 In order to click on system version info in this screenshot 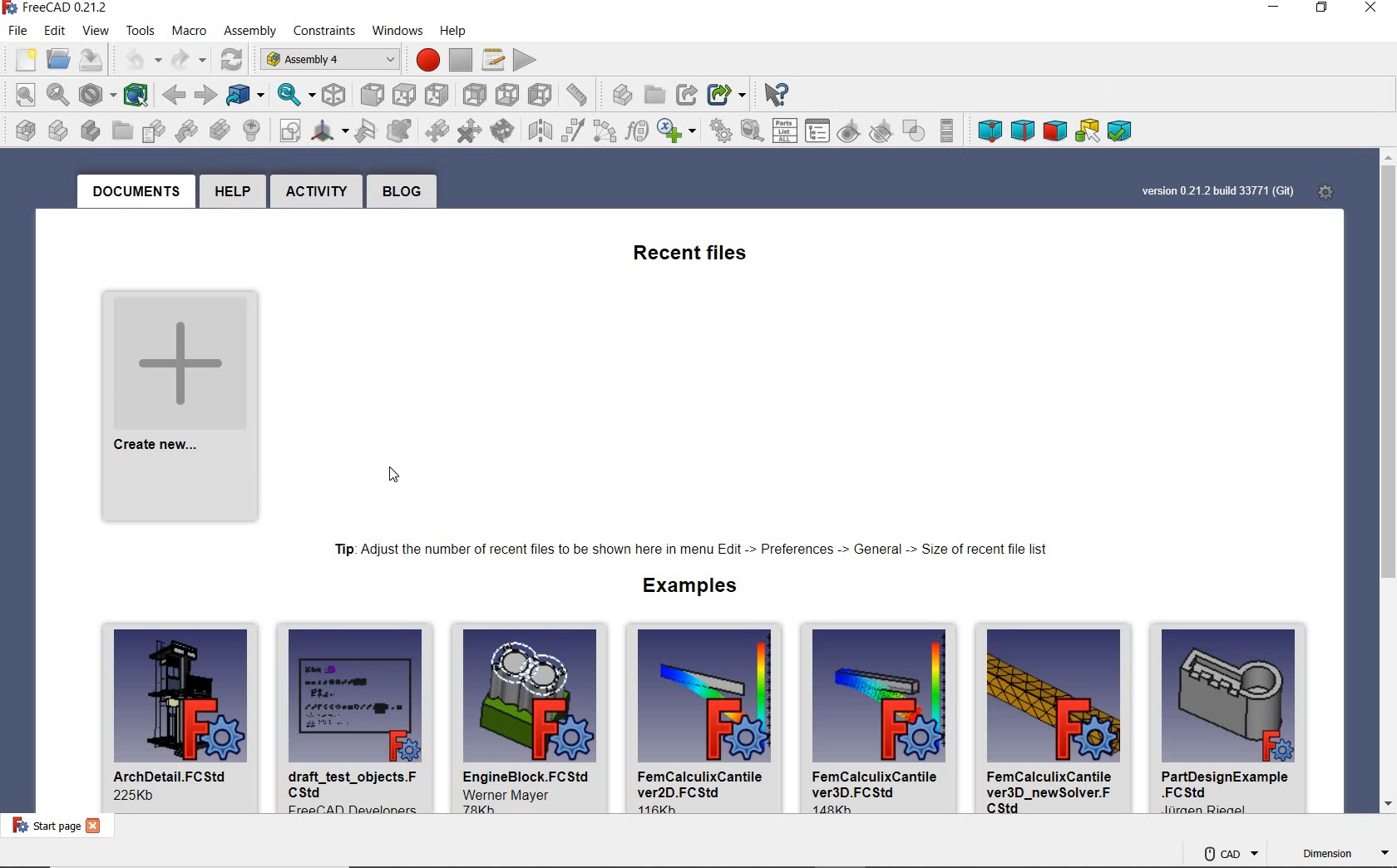, I will do `click(1218, 189)`.